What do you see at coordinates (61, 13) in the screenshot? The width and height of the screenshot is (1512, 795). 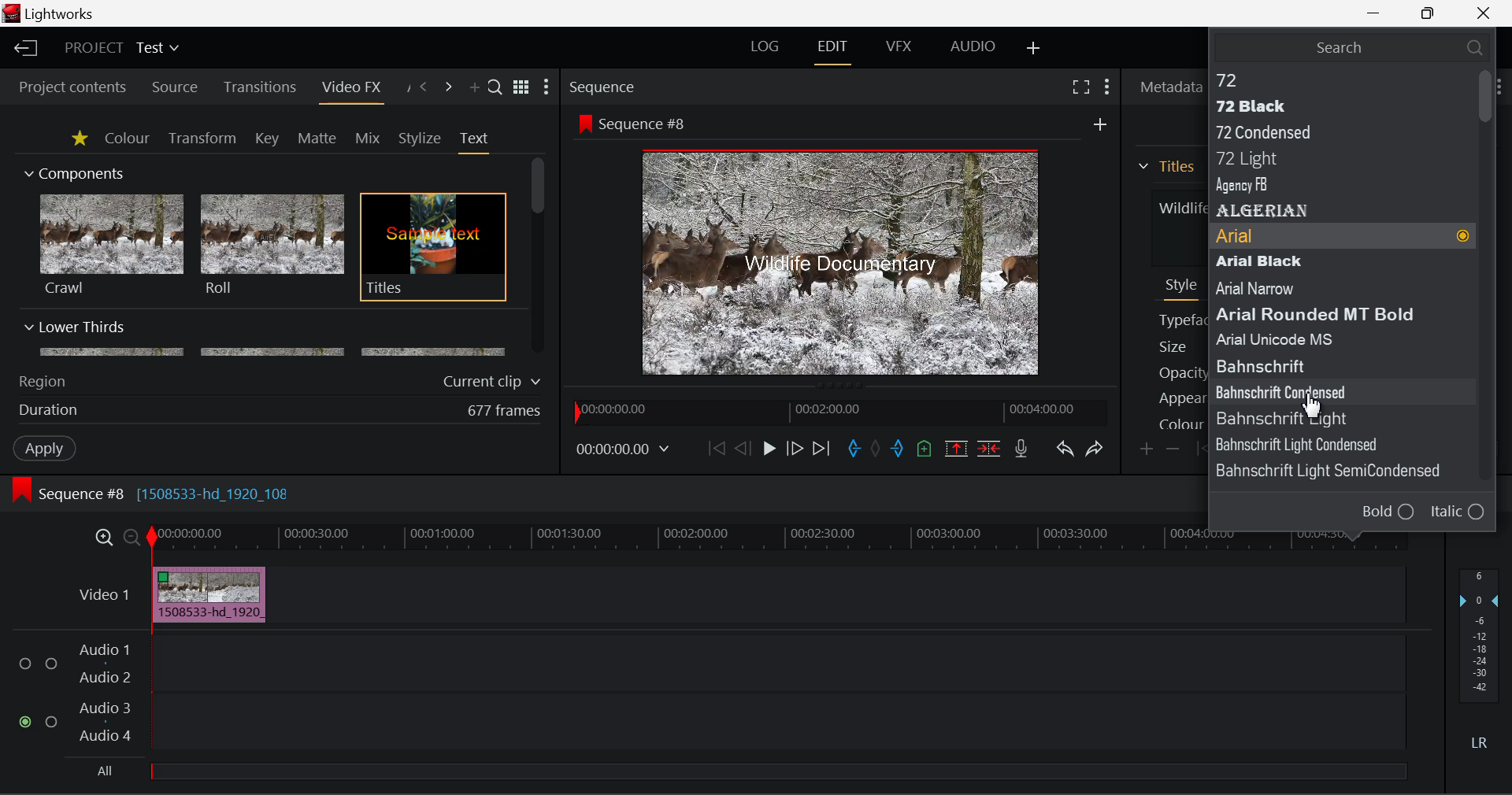 I see `Lightworks` at bounding box center [61, 13].